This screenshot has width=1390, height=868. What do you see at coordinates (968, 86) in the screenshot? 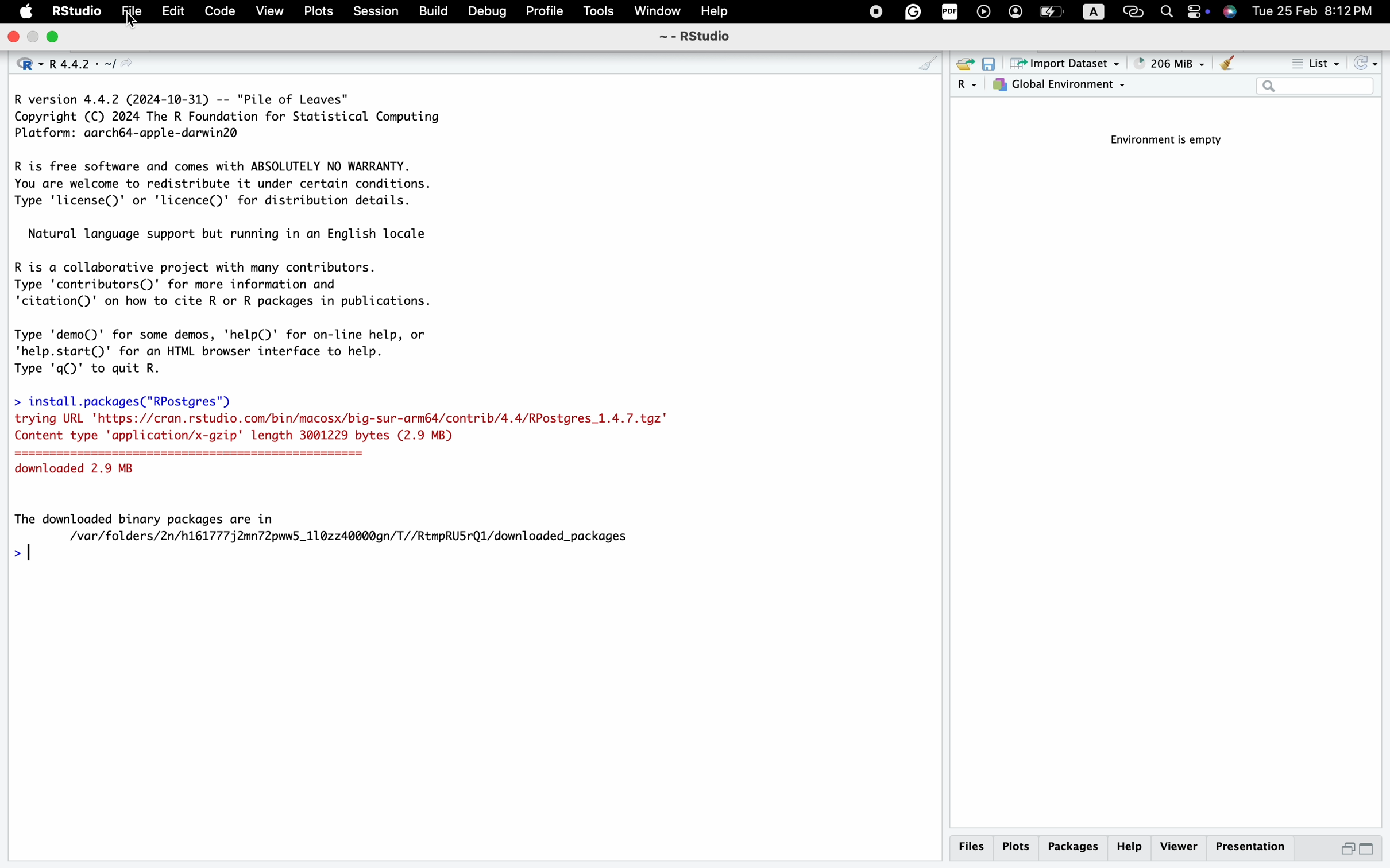
I see `language select` at bounding box center [968, 86].